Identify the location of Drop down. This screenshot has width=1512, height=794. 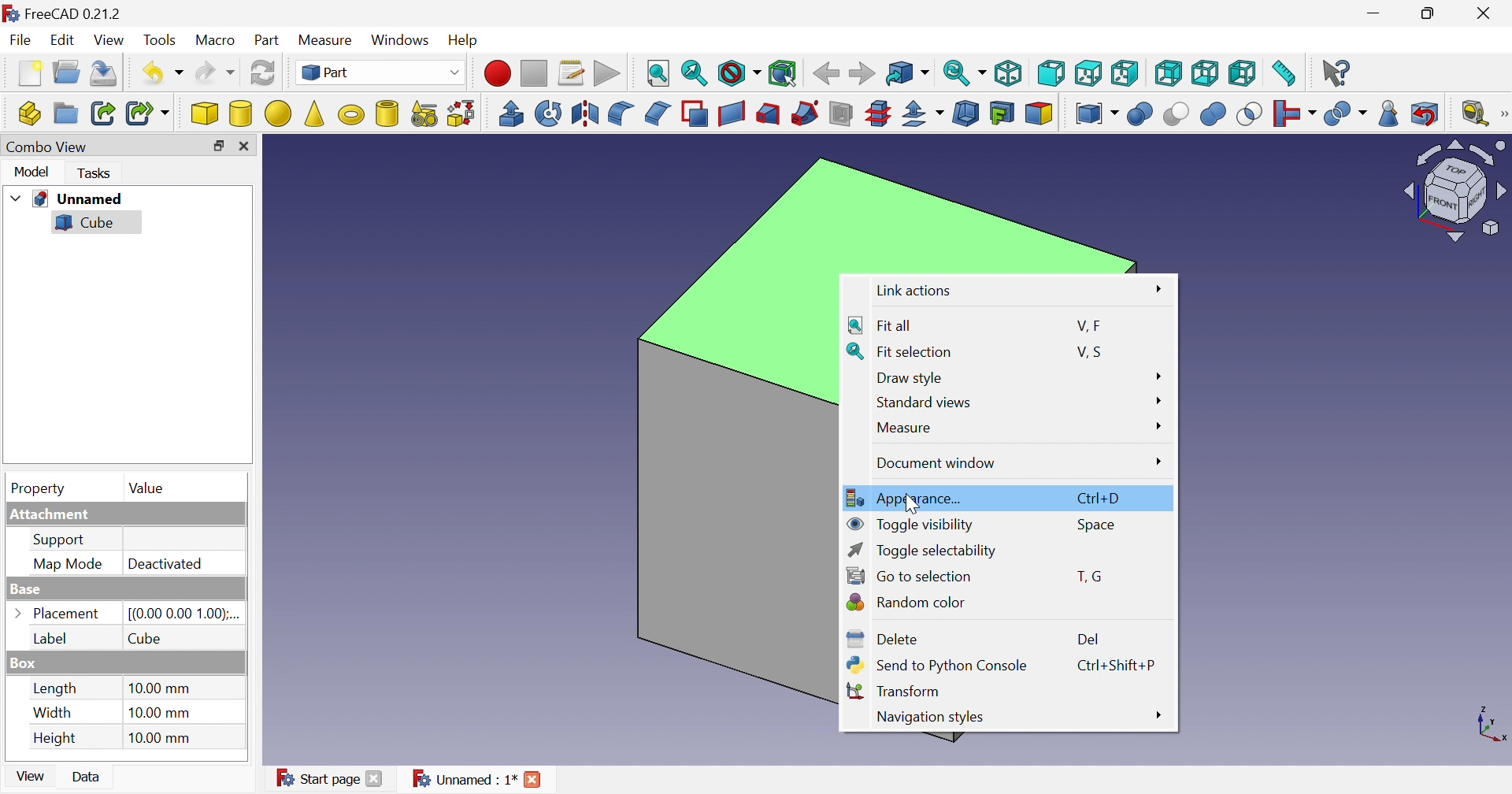
(17, 195).